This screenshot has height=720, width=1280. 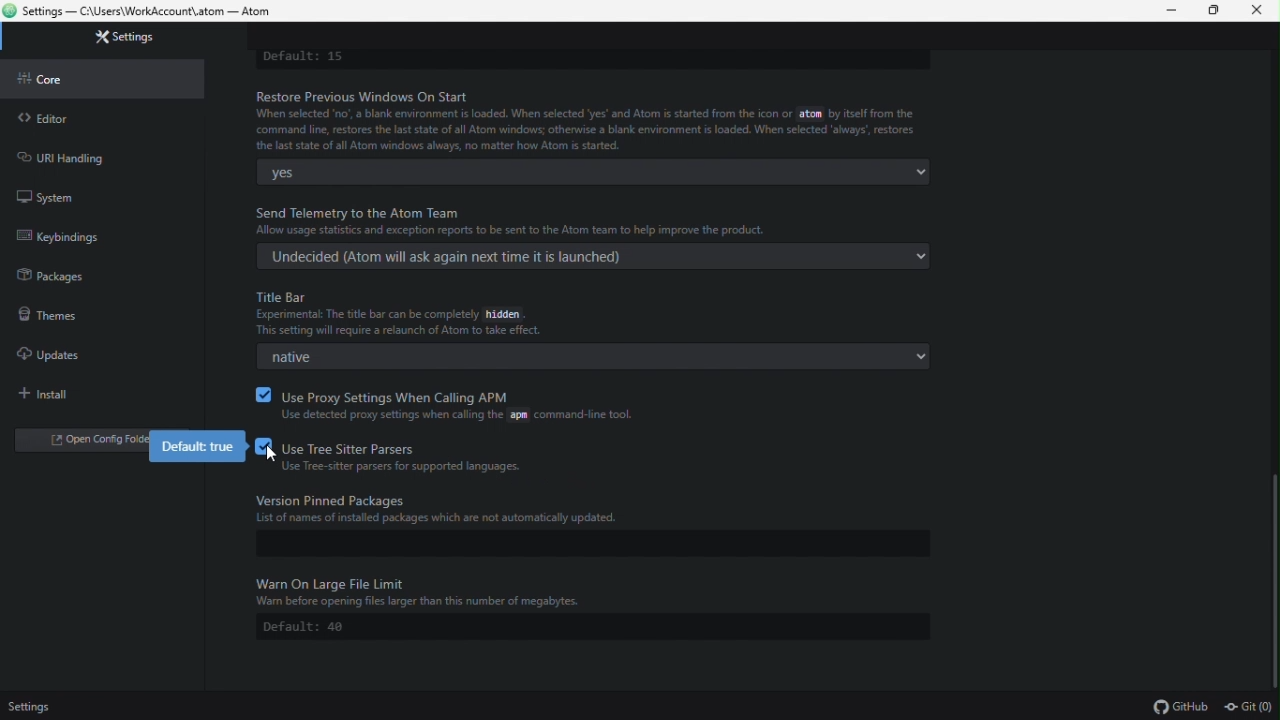 I want to click on default true, so click(x=201, y=447).